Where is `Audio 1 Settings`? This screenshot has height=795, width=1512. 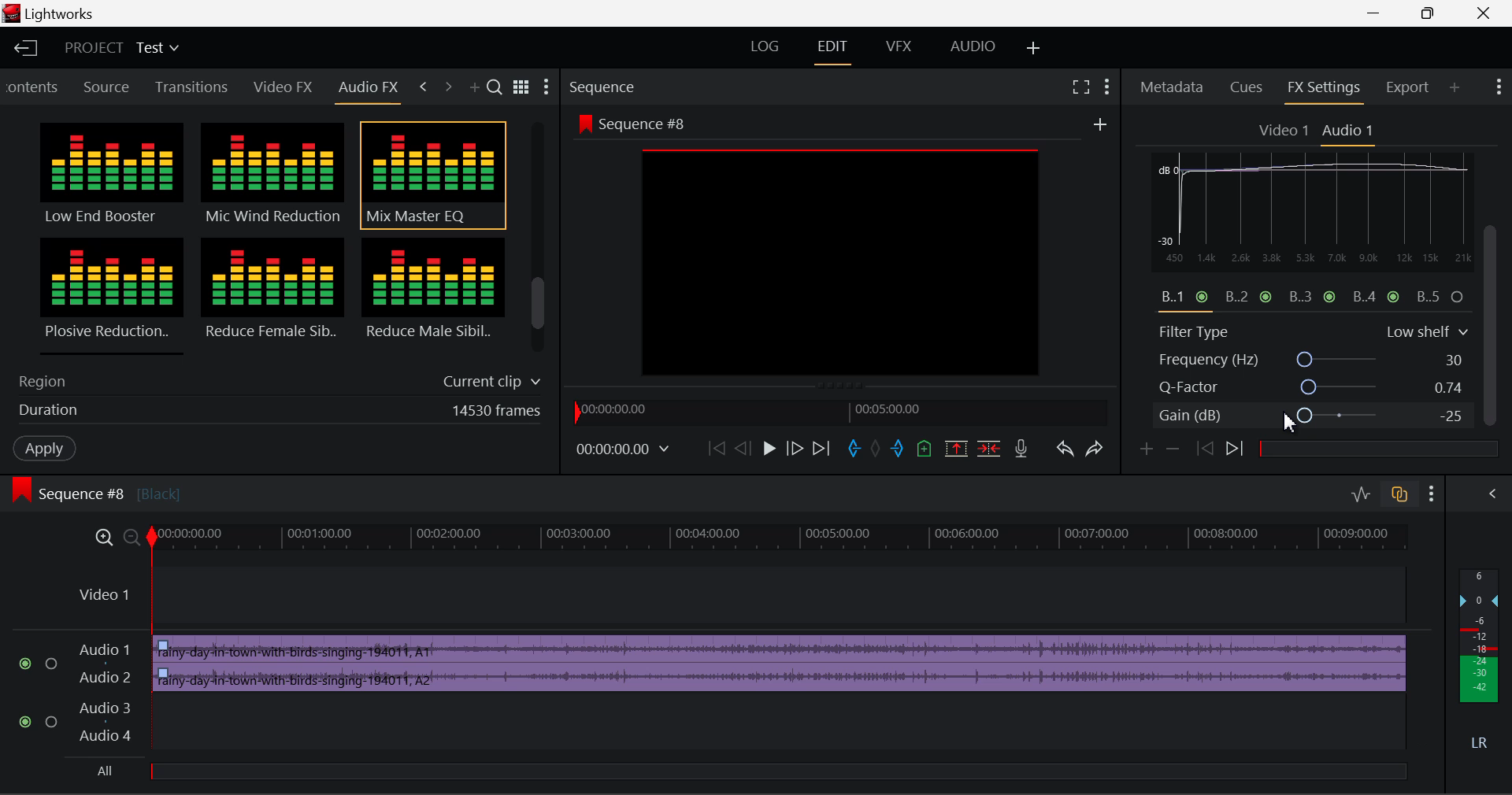 Audio 1 Settings is located at coordinates (1350, 131).